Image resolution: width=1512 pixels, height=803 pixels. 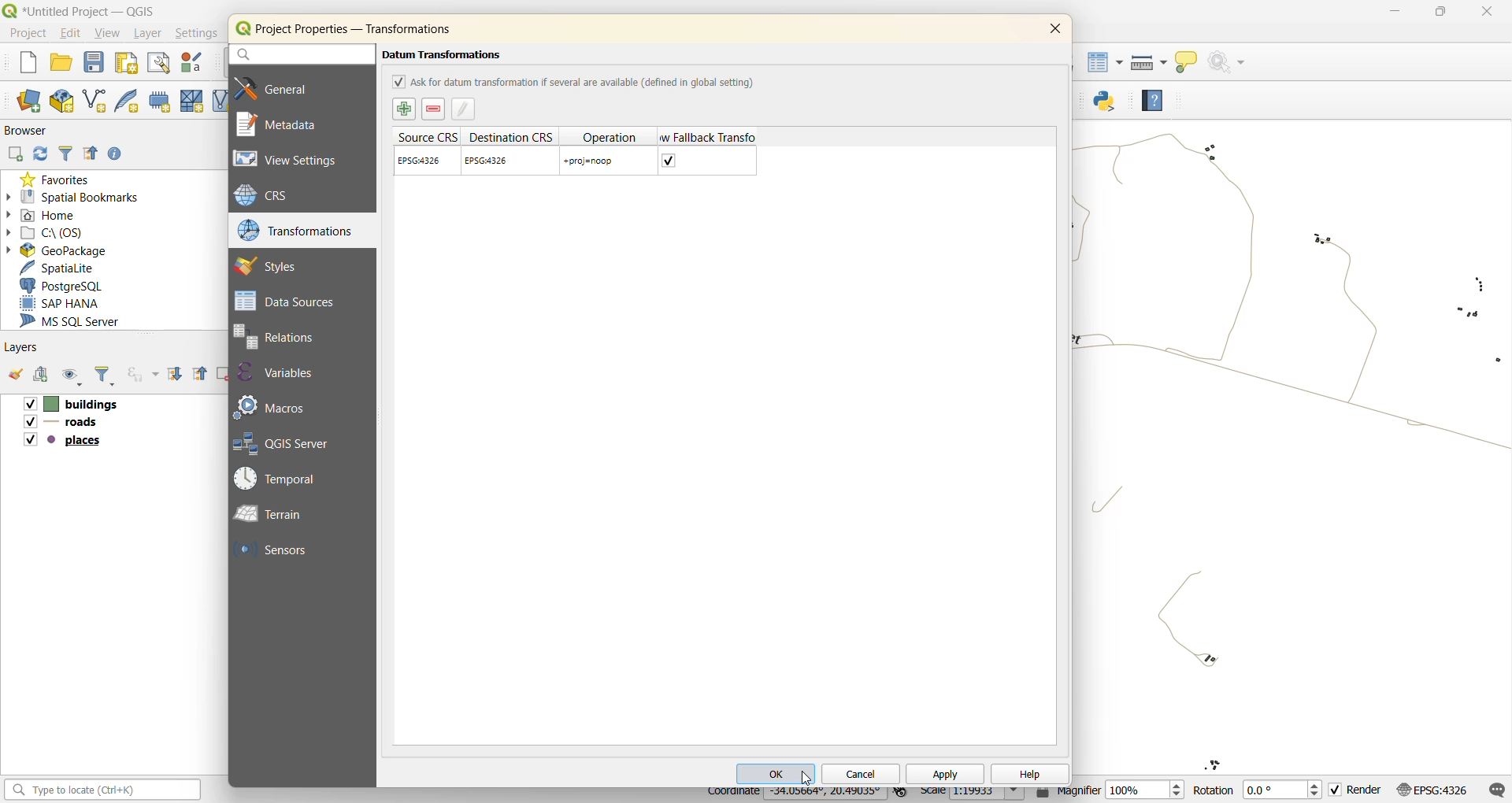 I want to click on relations, so click(x=288, y=336).